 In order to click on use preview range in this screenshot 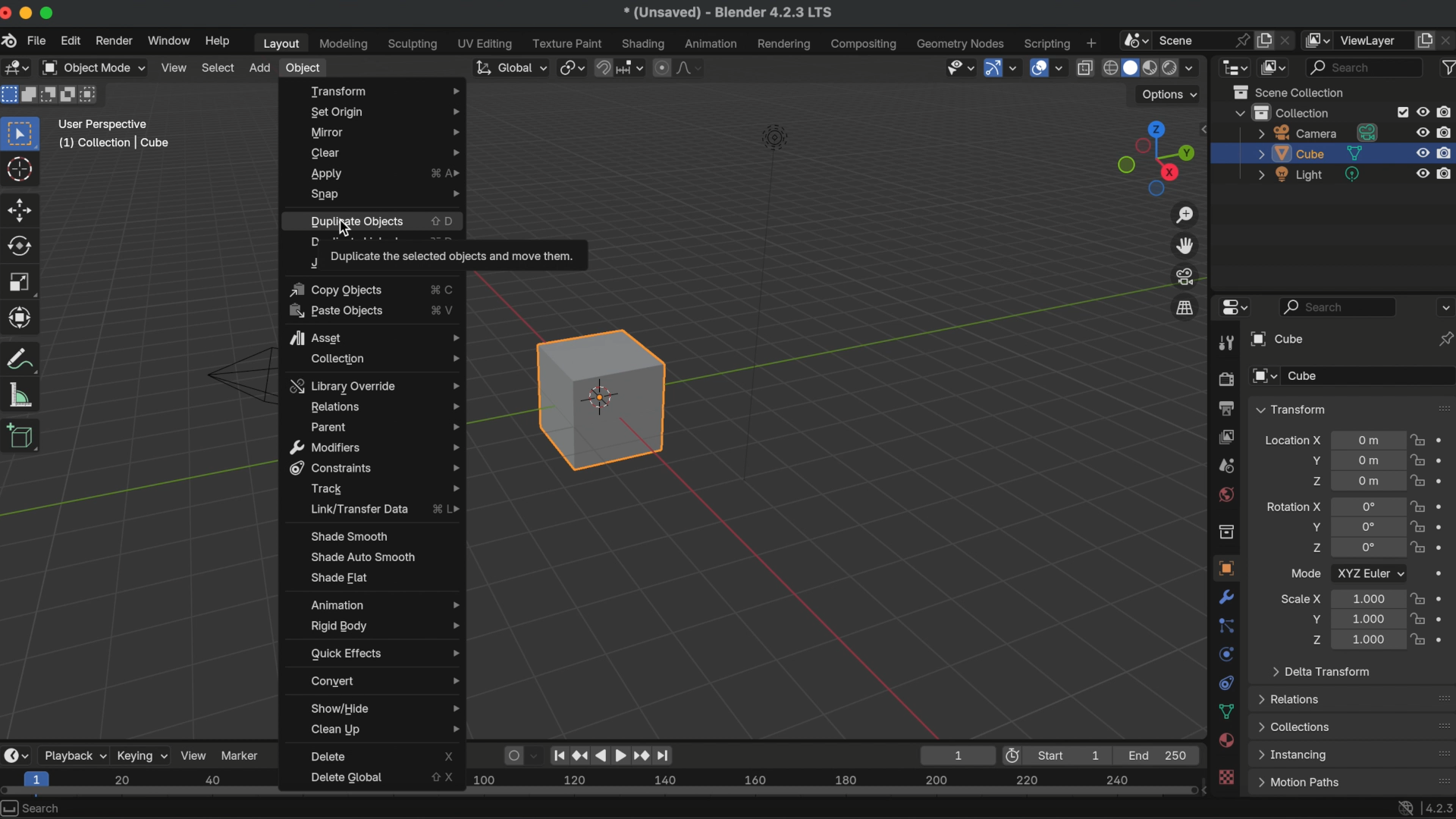, I will do `click(1015, 755)`.